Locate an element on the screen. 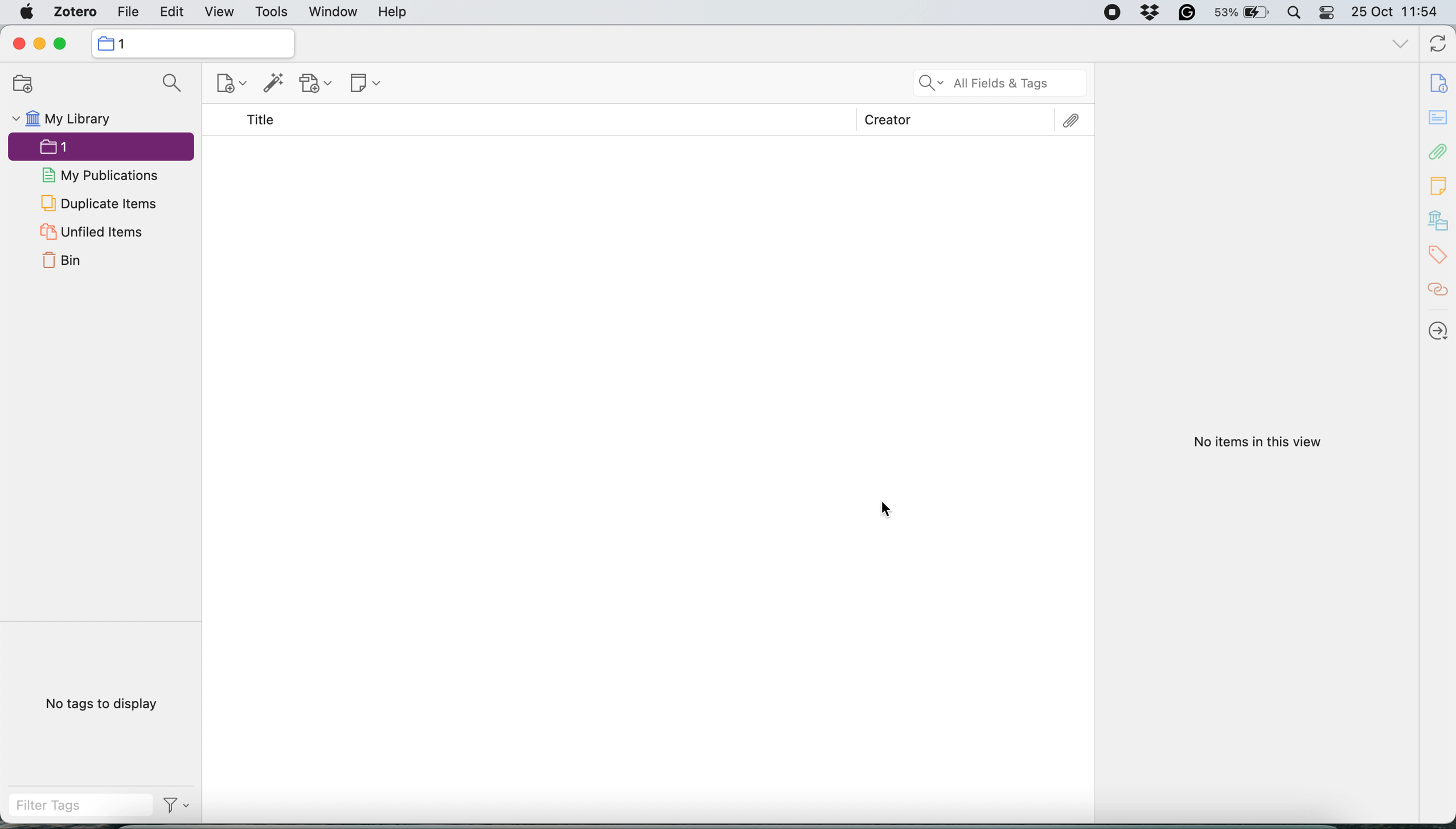  Cursor Position AFTER_LAST_ACTION is located at coordinates (887, 510).